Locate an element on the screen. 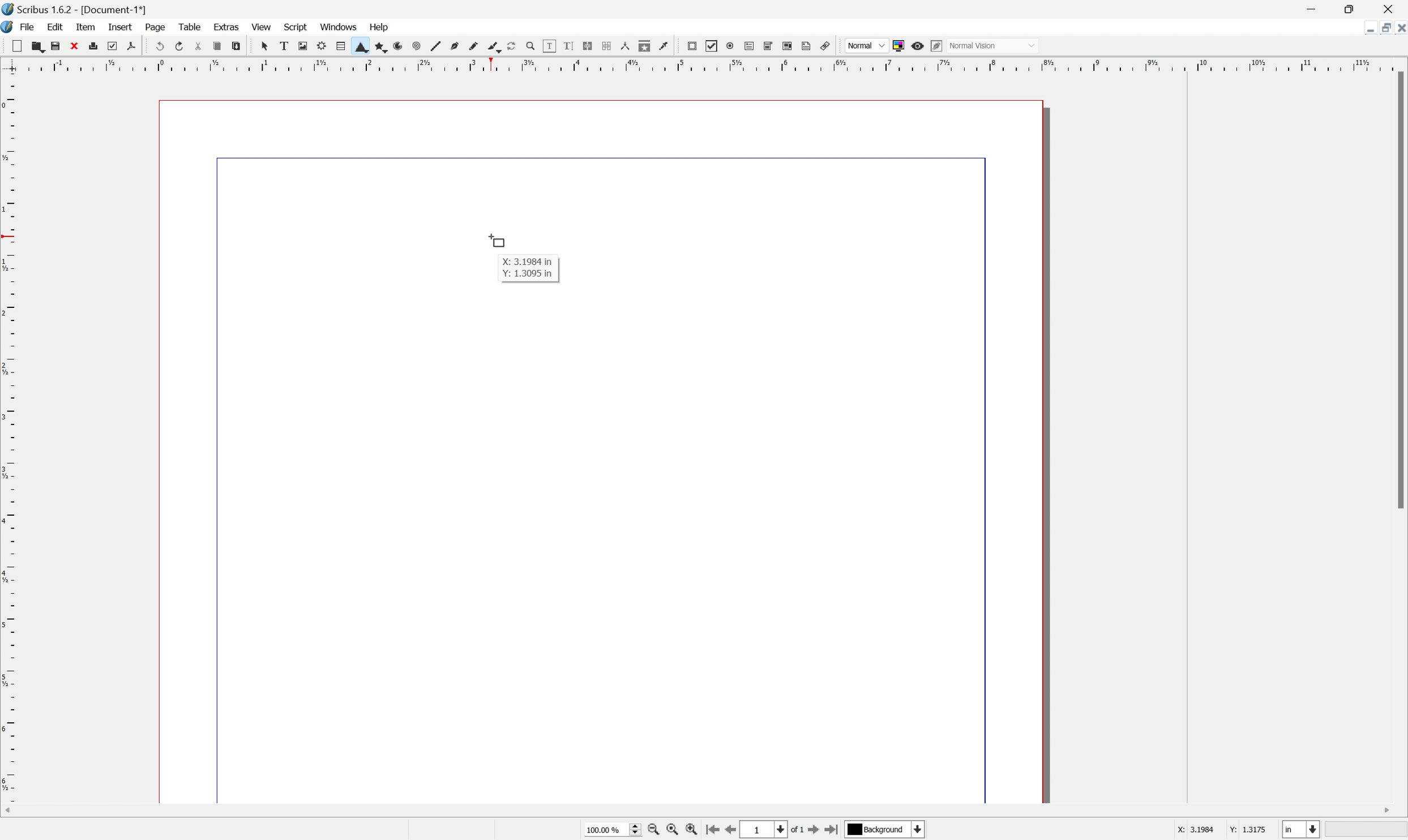 Image resolution: width=1408 pixels, height=840 pixels. Go to last page is located at coordinates (833, 830).